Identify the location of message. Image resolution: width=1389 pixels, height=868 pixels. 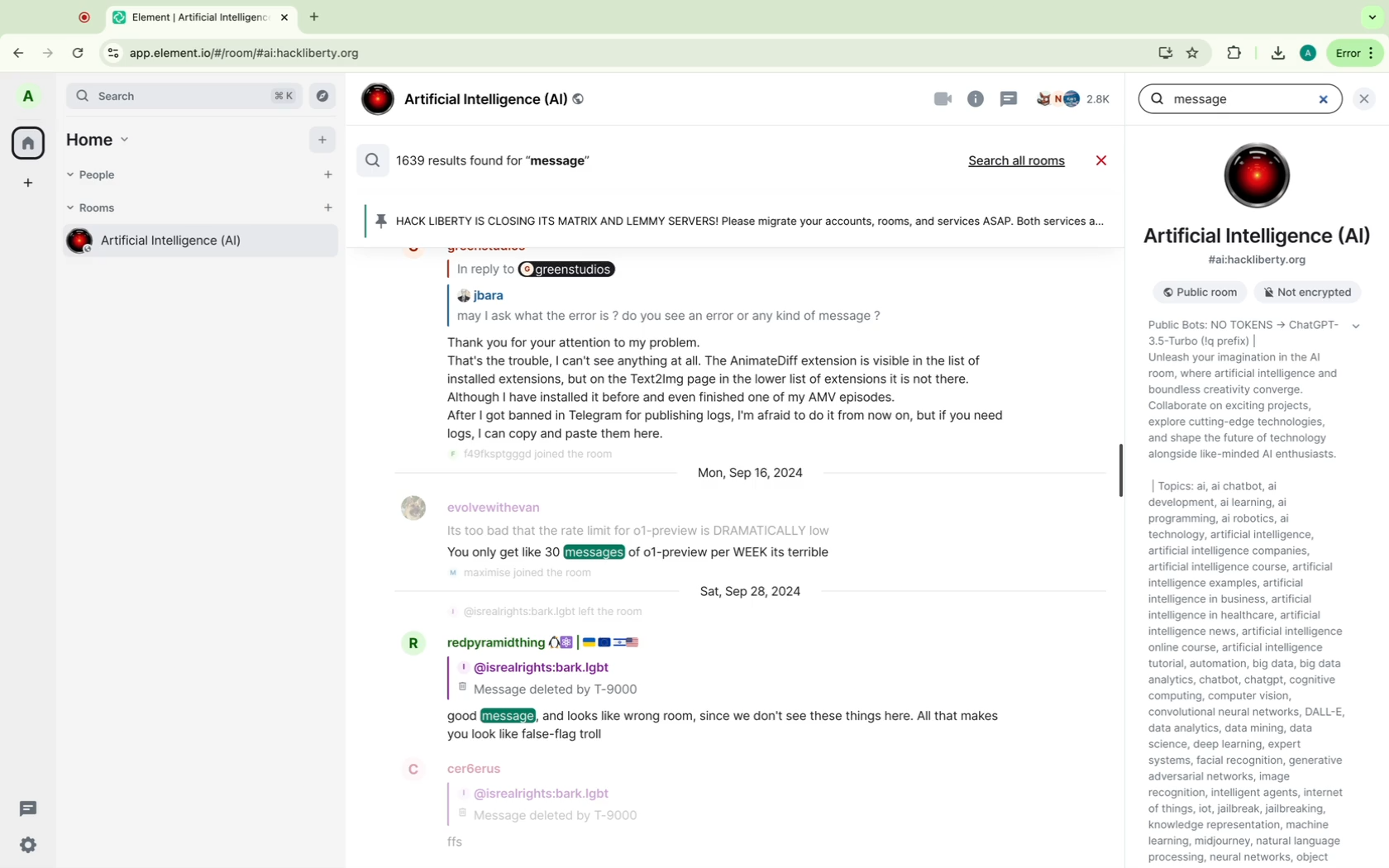
(737, 392).